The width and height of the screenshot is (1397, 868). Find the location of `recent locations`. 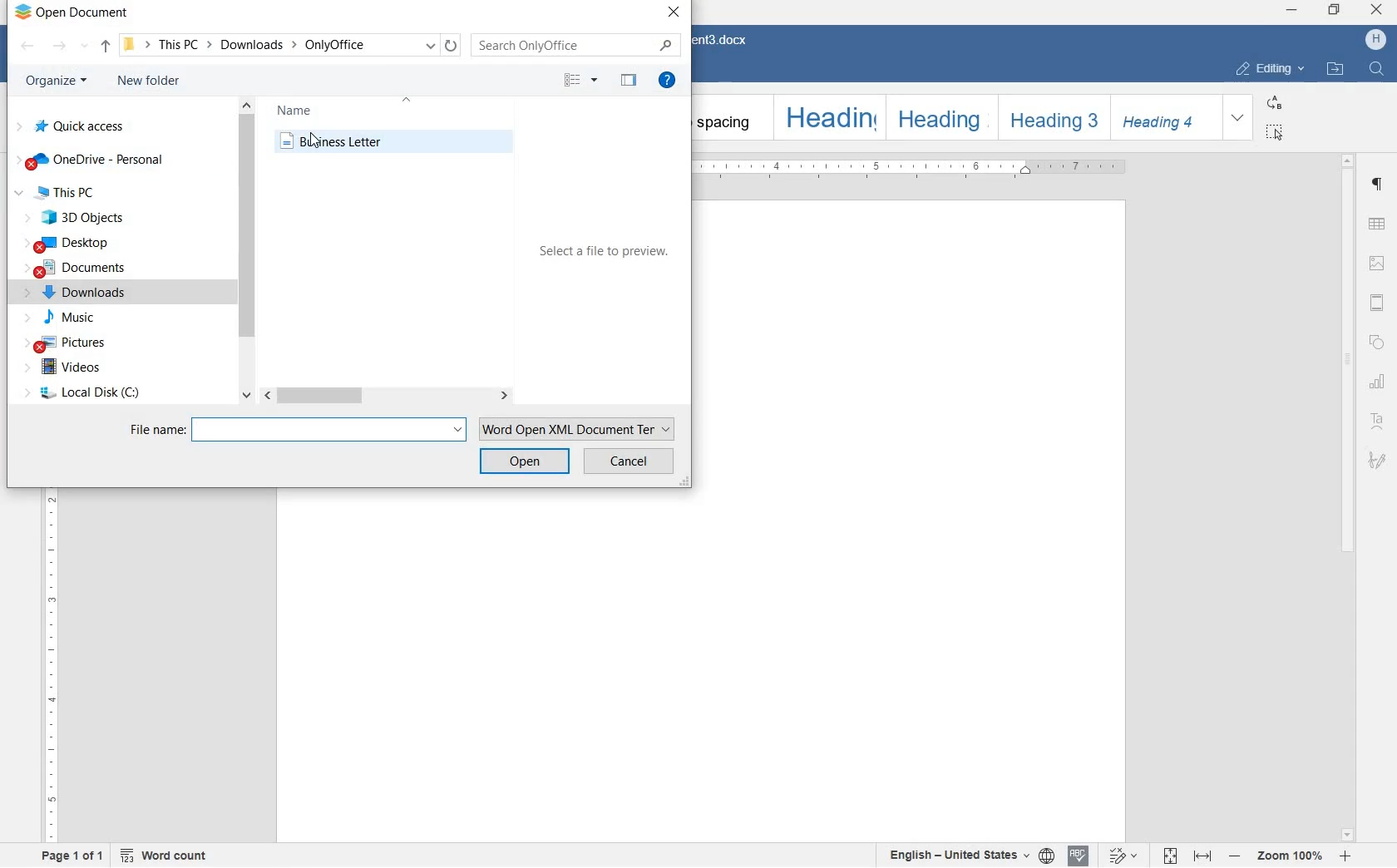

recent locations is located at coordinates (86, 43).